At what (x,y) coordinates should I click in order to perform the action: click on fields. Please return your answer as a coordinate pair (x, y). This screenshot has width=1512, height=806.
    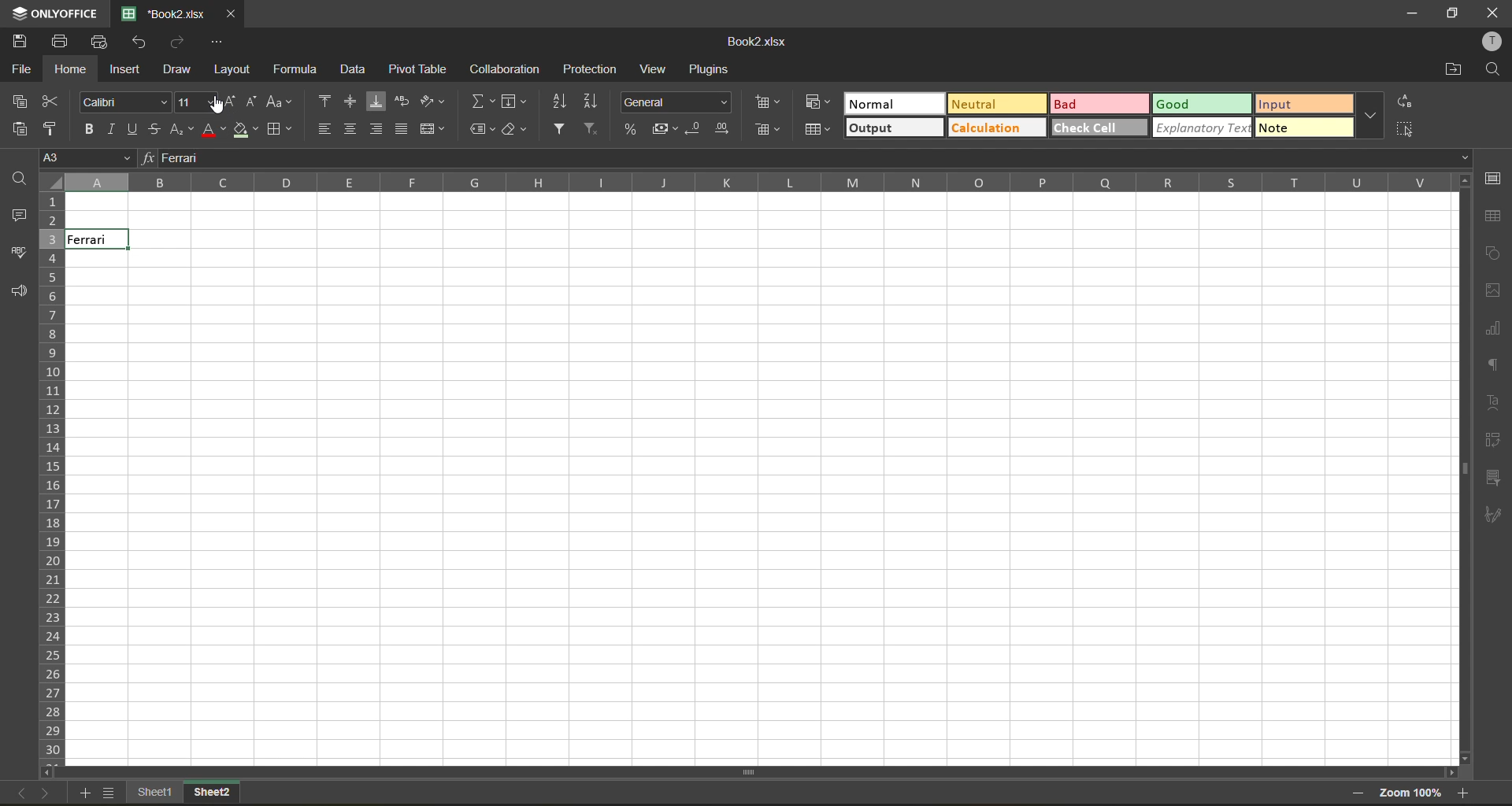
    Looking at the image, I should click on (515, 101).